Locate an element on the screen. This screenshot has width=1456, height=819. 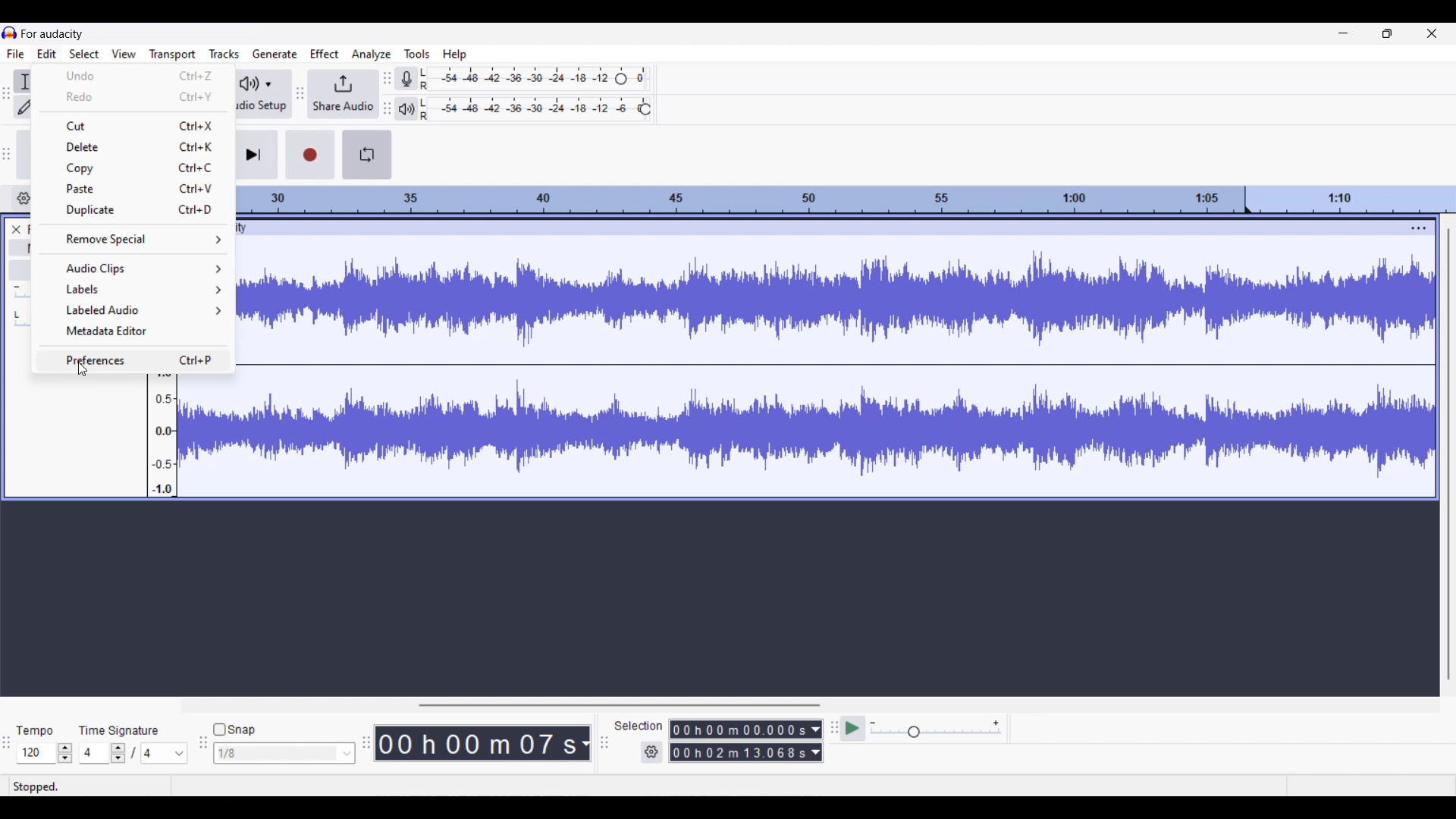
Generate menu is located at coordinates (275, 54).